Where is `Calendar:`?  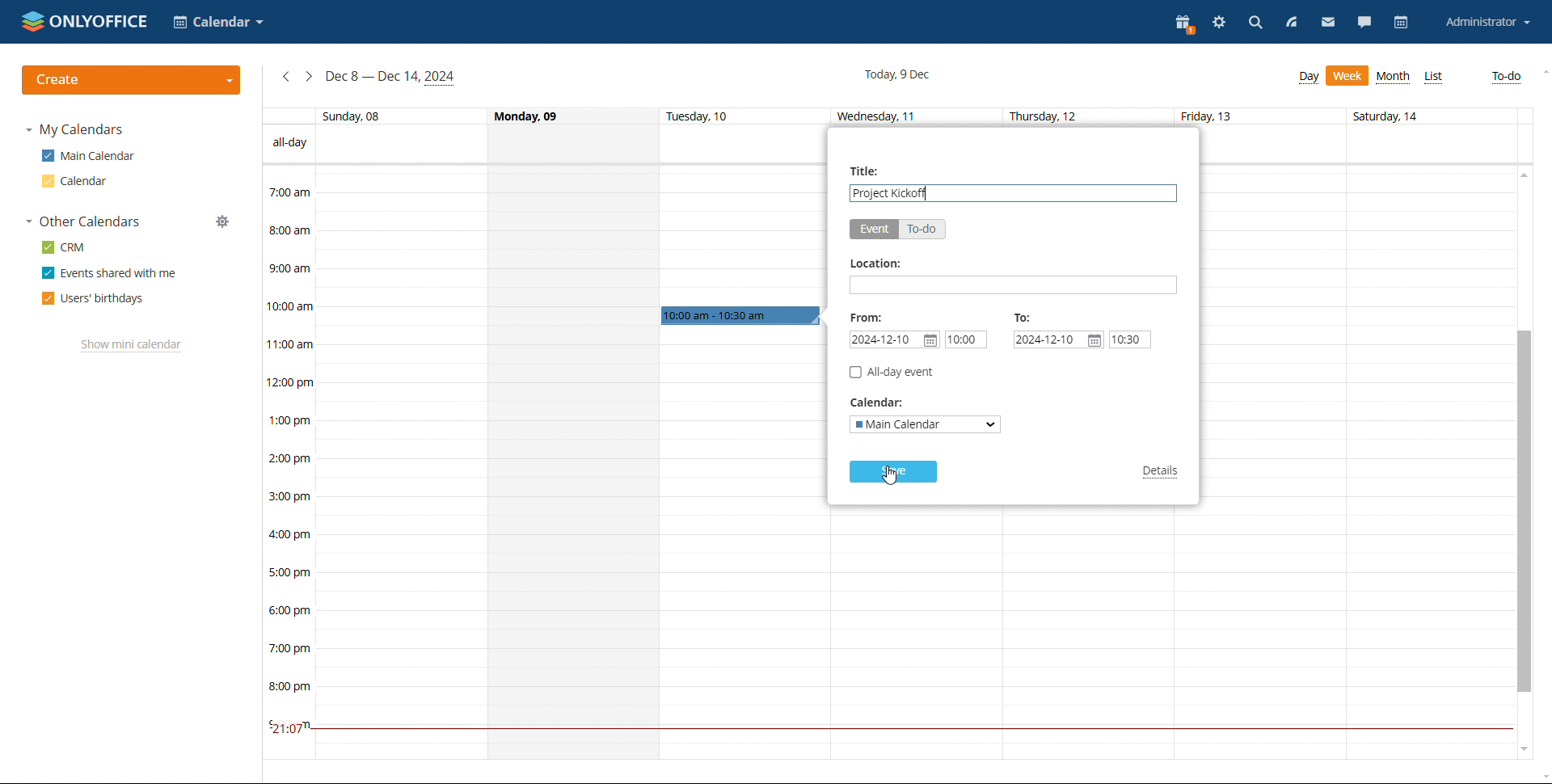
Calendar: is located at coordinates (883, 403).